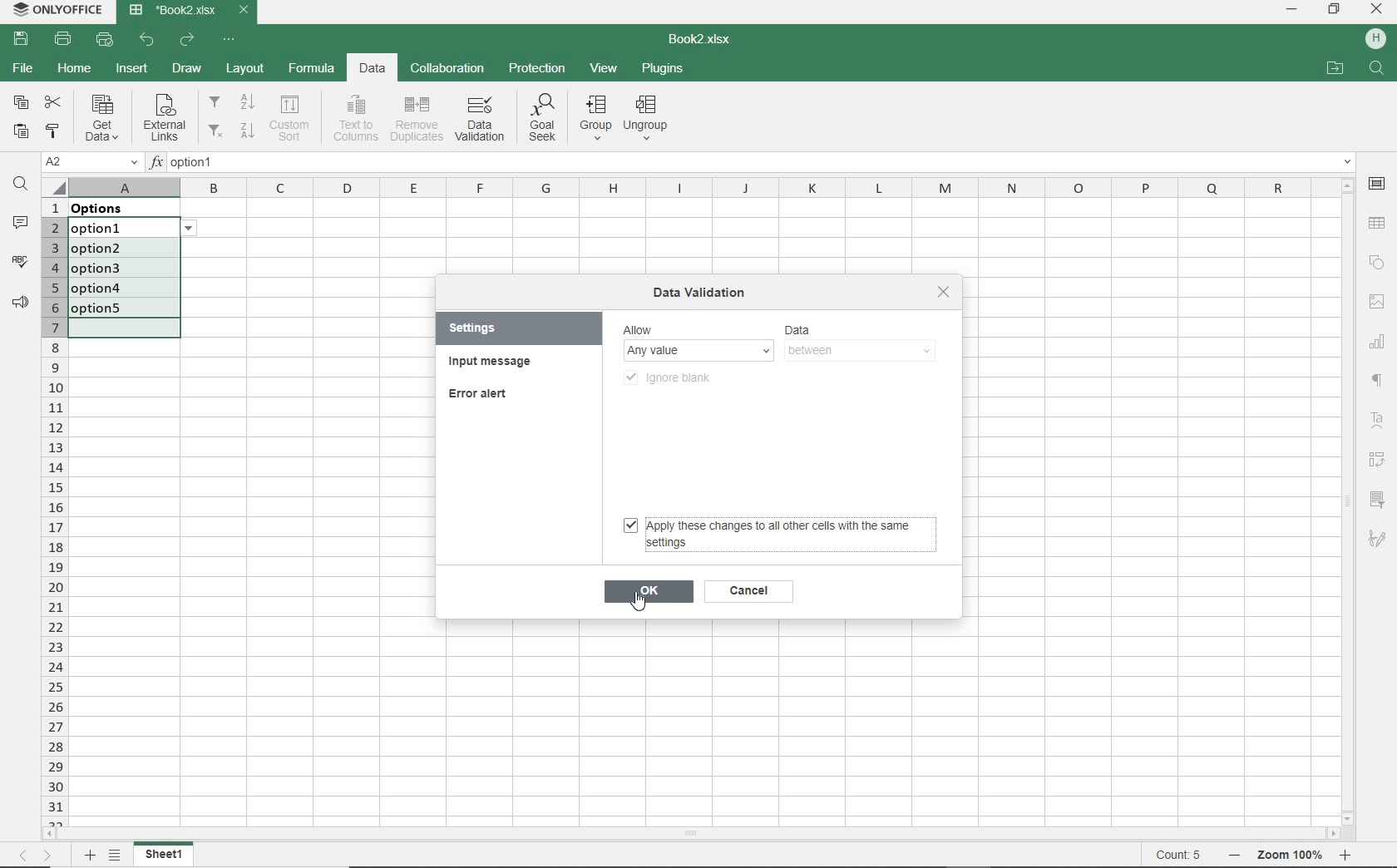  I want to click on DATA, so click(863, 328).